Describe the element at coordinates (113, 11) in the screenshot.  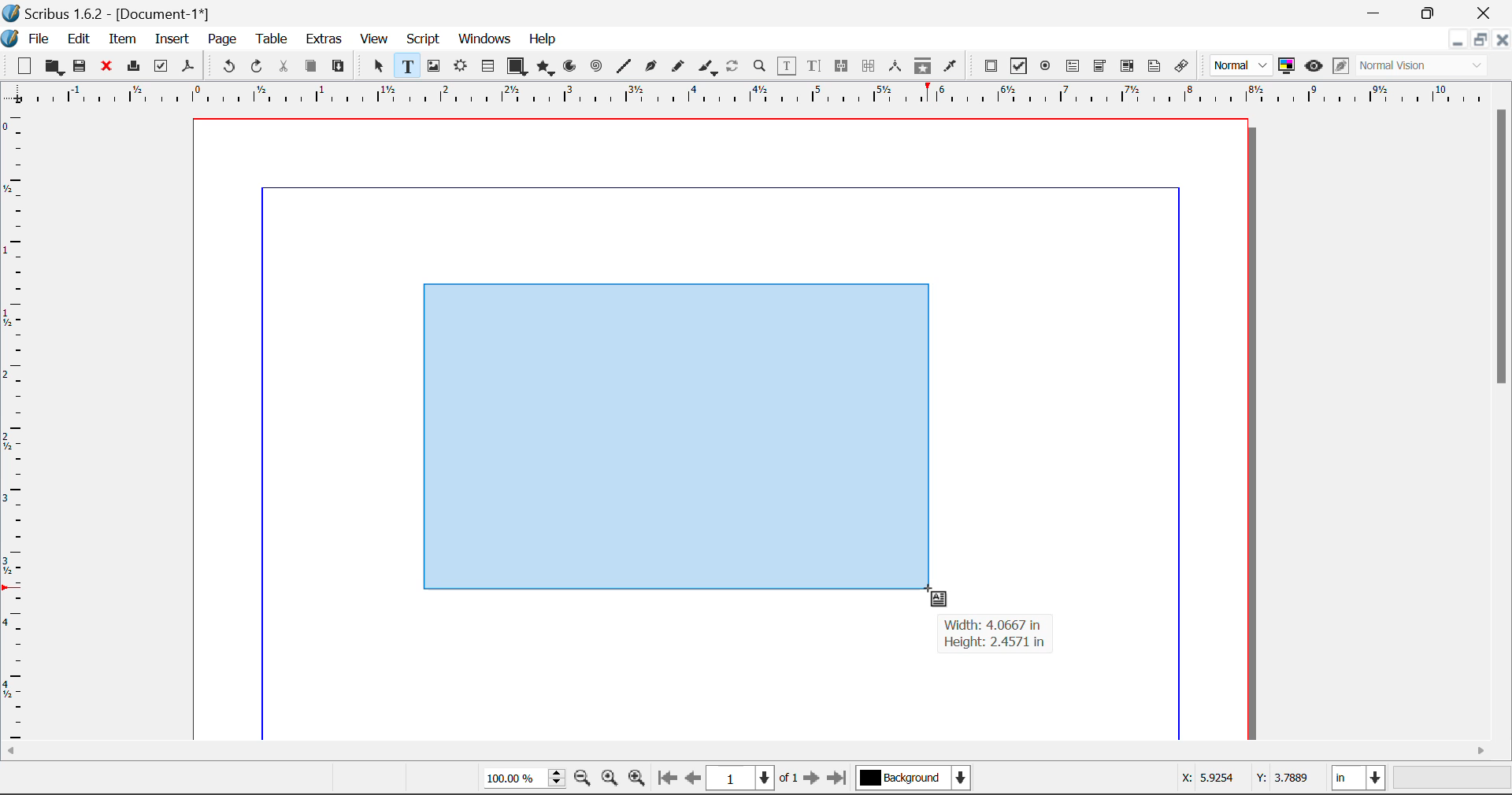
I see `Scribus 1.62 - [Document-1*]` at that location.